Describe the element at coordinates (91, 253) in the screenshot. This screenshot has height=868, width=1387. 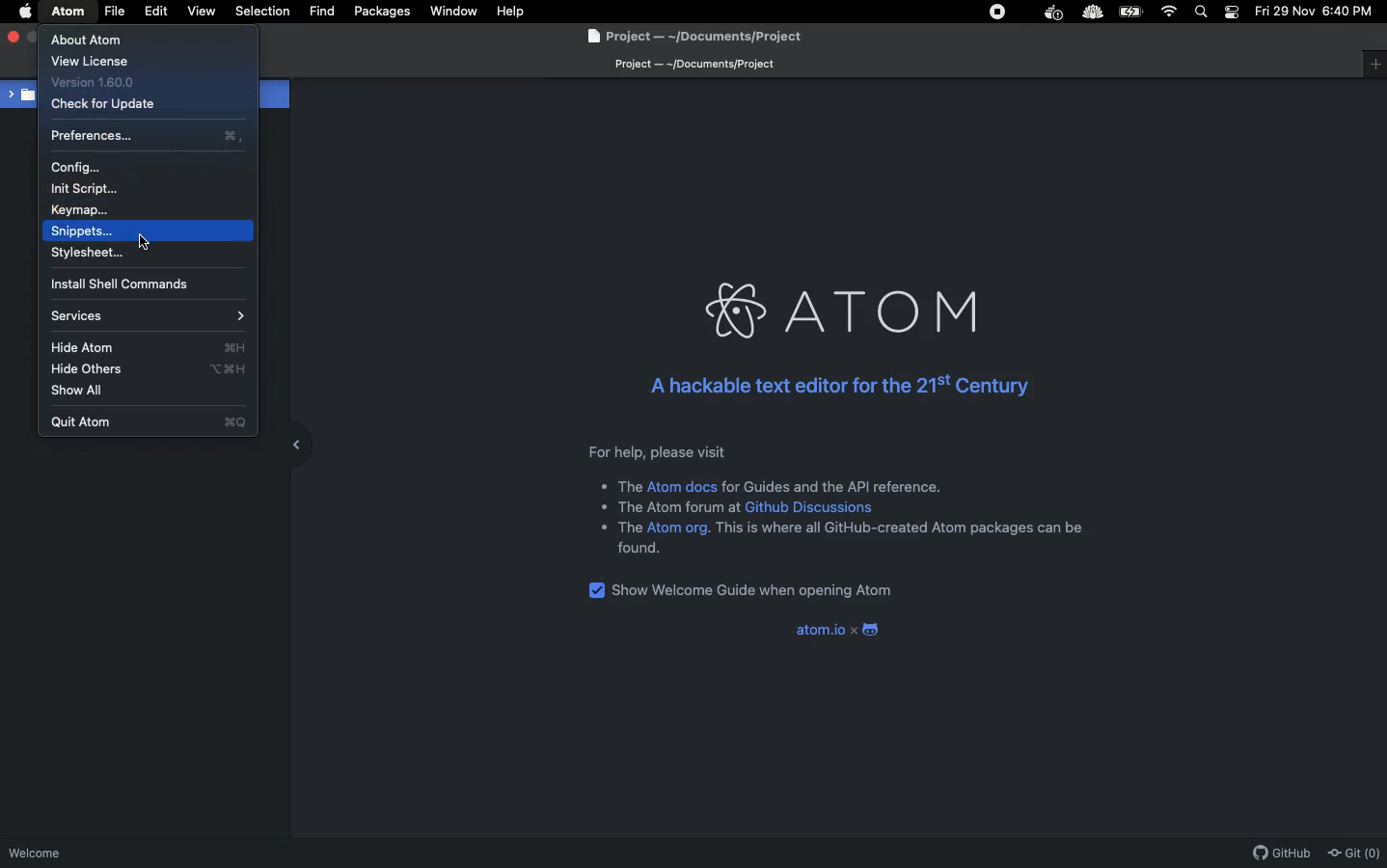
I see `Stylesheet` at that location.